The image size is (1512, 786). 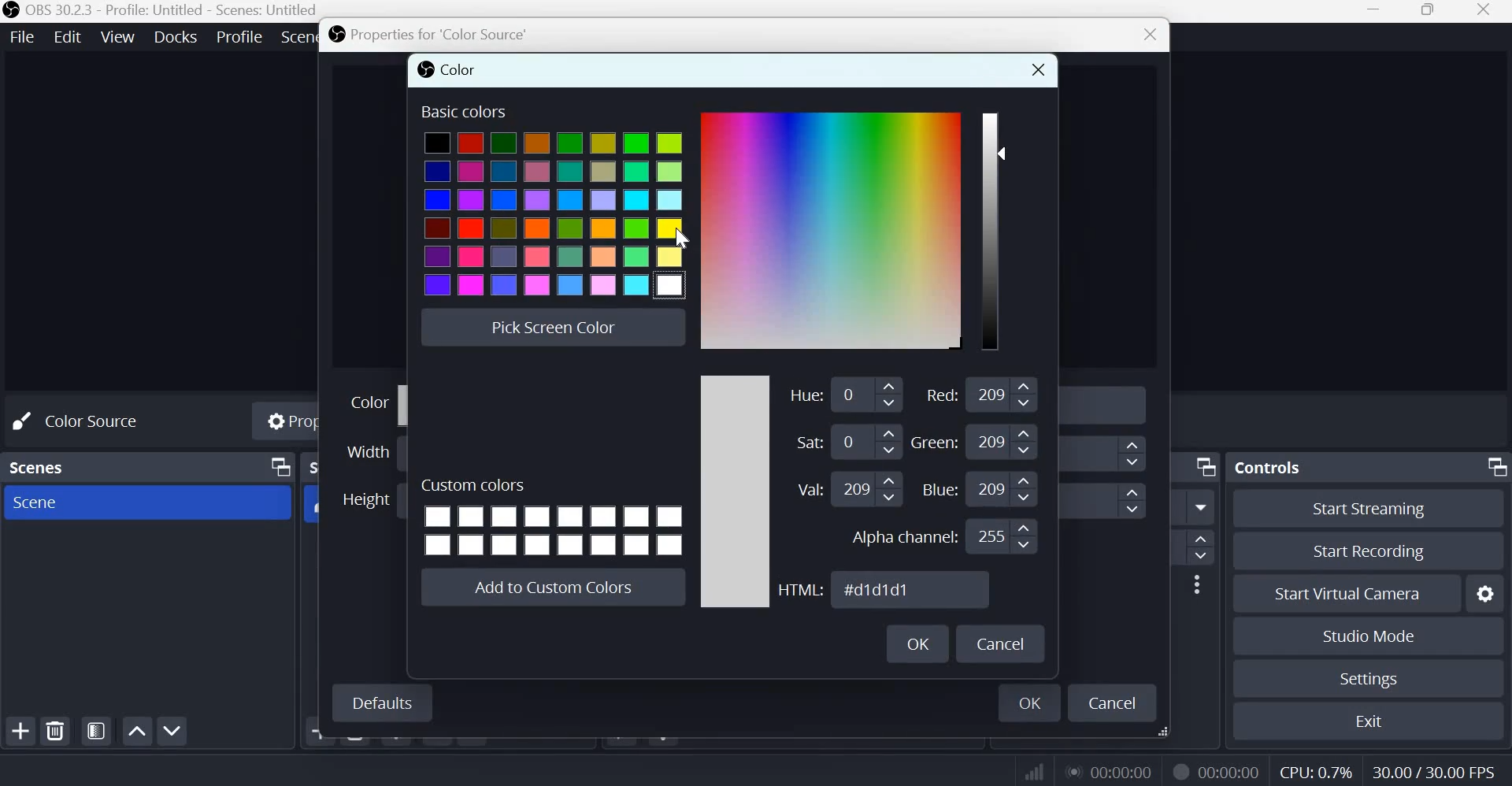 What do you see at coordinates (69, 35) in the screenshot?
I see `Edit` at bounding box center [69, 35].